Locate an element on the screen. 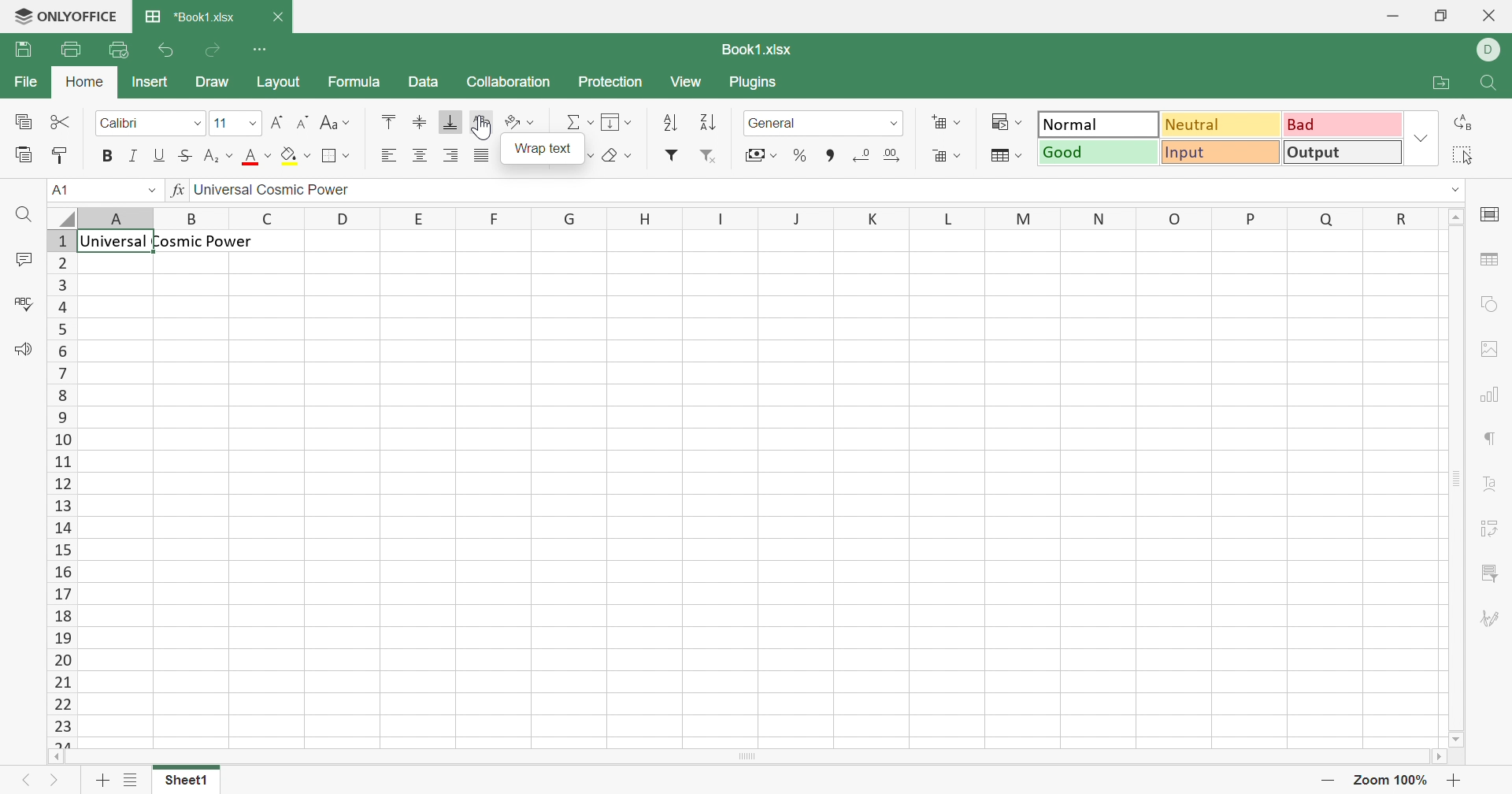 This screenshot has width=1512, height=794. Customize Quick Access Toolbar is located at coordinates (263, 50).